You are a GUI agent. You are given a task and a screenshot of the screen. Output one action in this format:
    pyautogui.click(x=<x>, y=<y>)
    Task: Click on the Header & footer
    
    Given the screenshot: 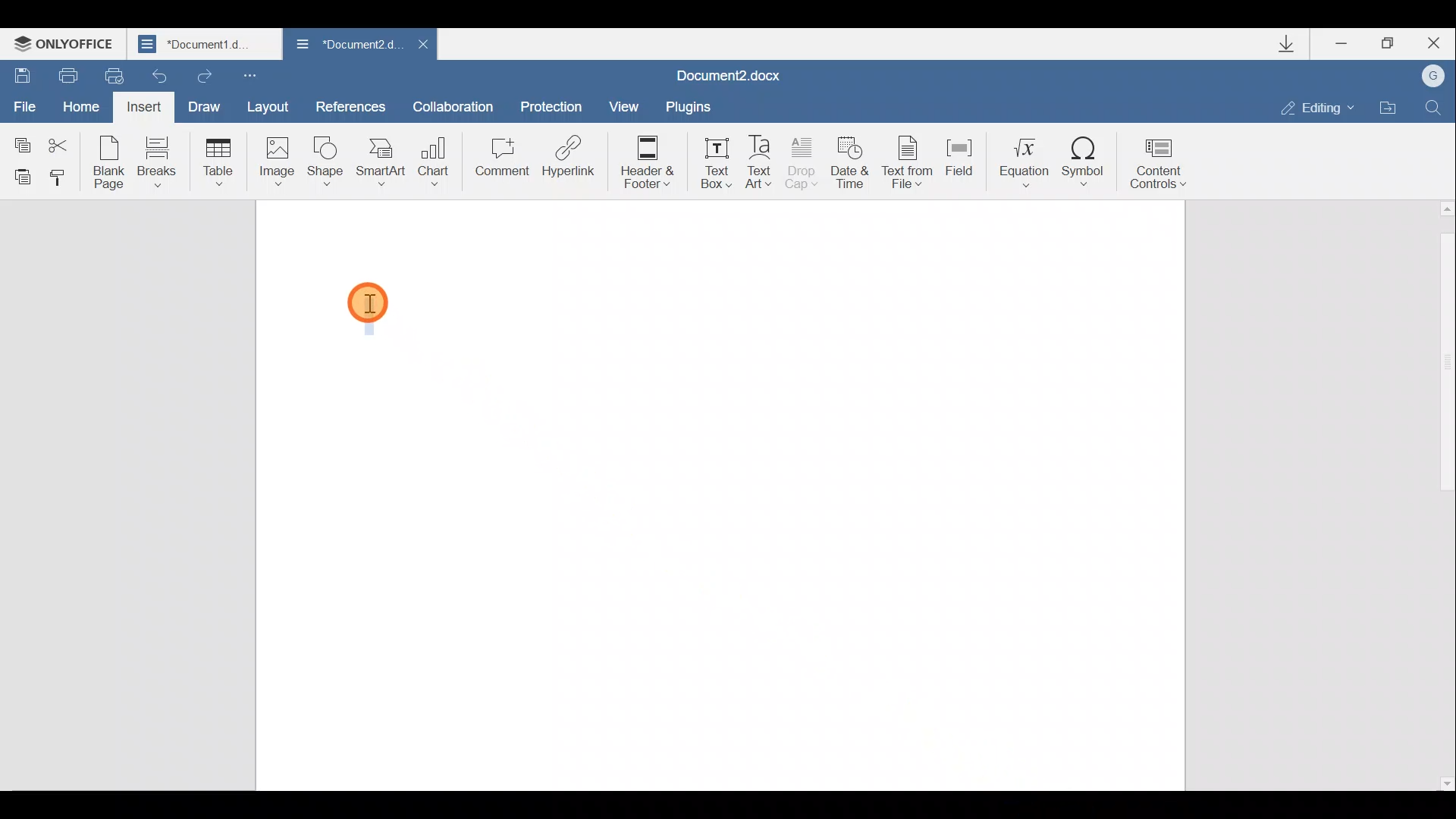 What is the action you would take?
    pyautogui.click(x=652, y=162)
    